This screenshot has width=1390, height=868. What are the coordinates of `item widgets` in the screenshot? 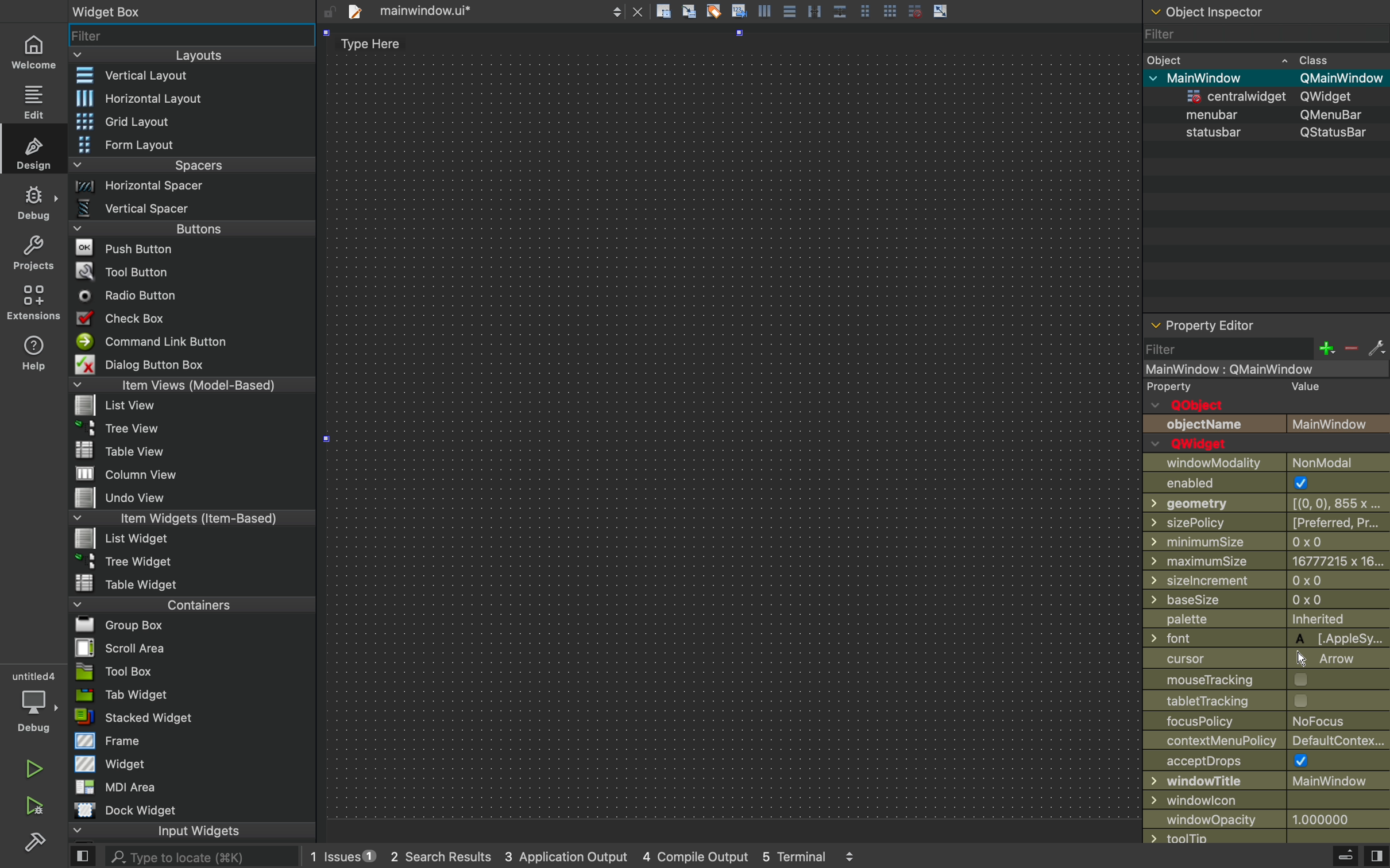 It's located at (190, 518).